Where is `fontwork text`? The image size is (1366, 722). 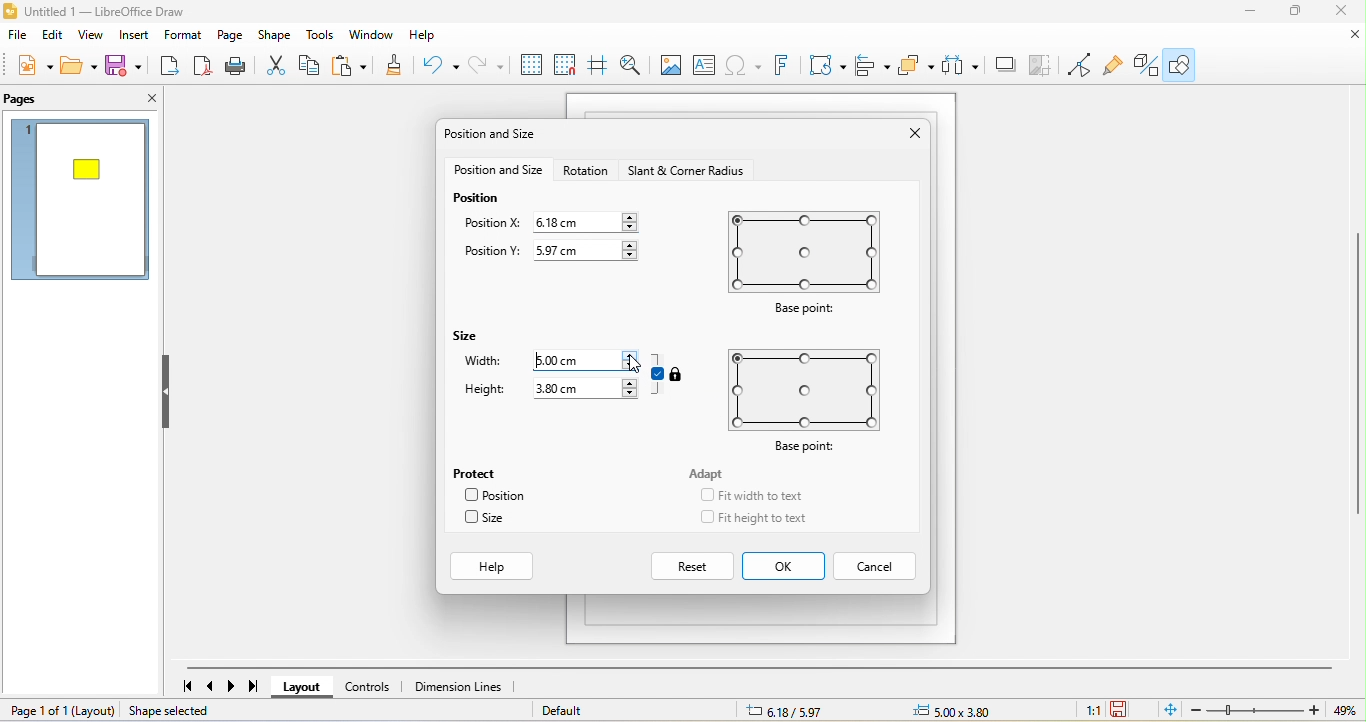 fontwork text is located at coordinates (787, 67).